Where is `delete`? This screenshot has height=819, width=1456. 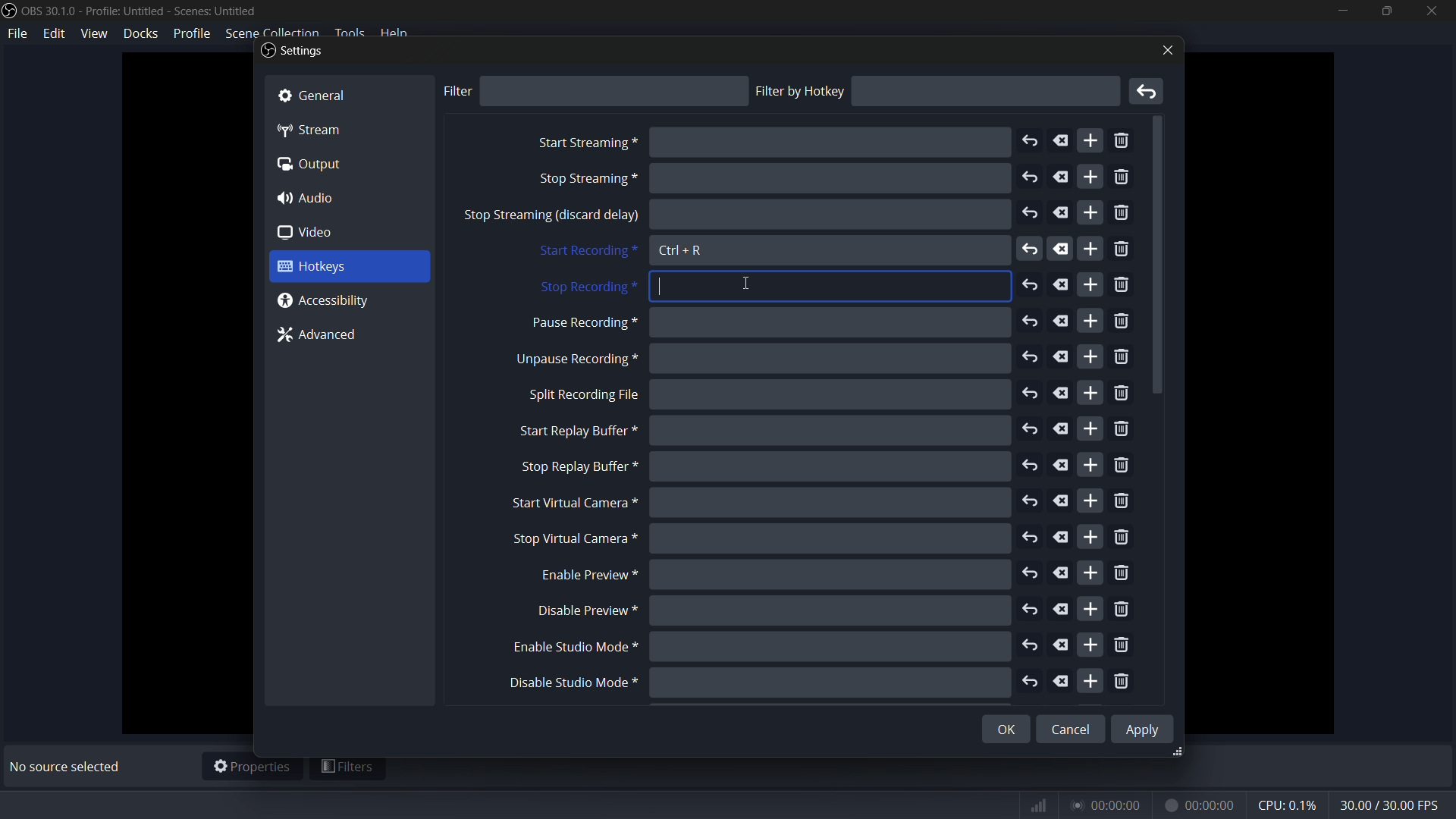
delete is located at coordinates (1062, 428).